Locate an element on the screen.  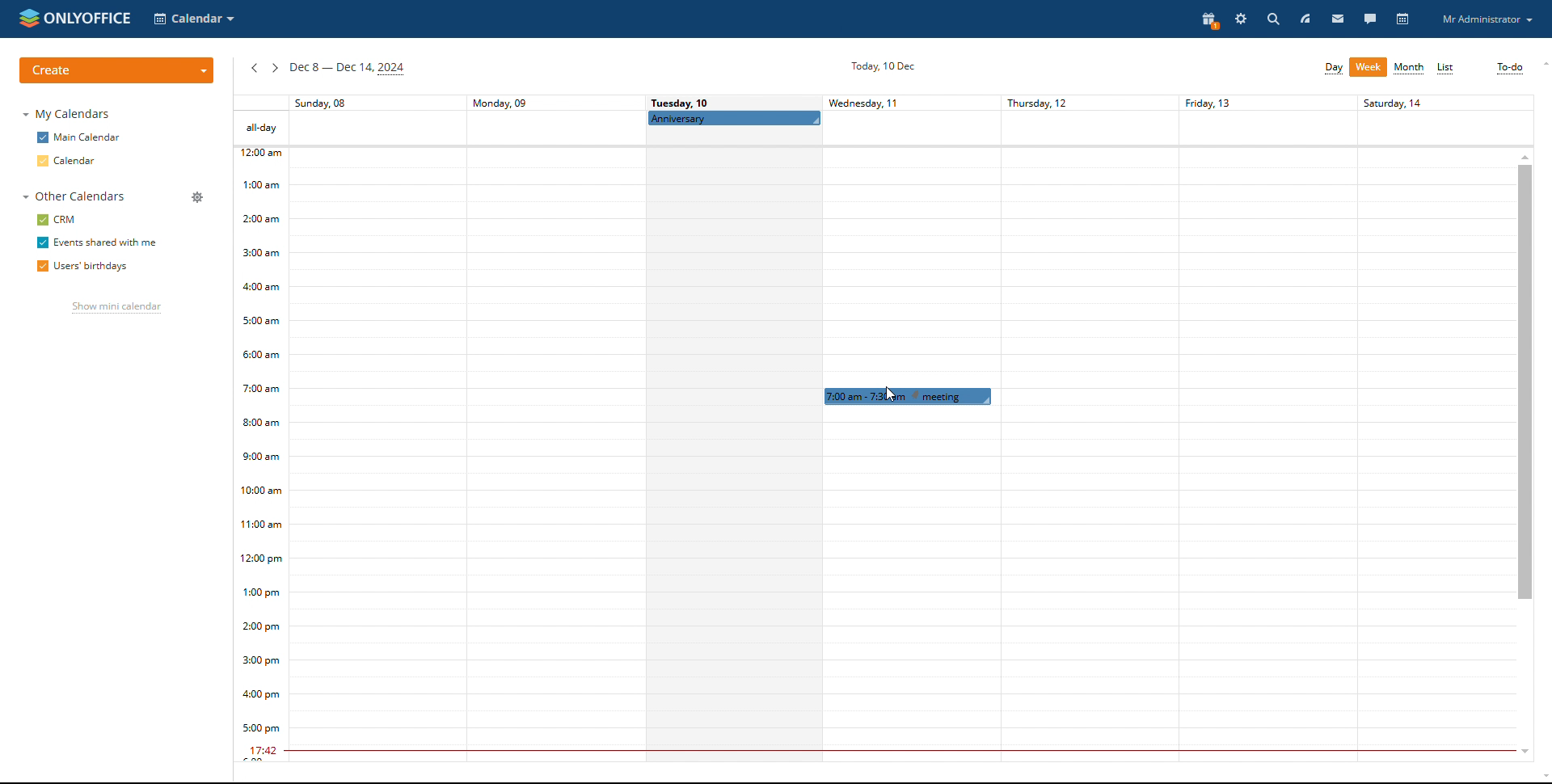
scrollbar is located at coordinates (1525, 381).